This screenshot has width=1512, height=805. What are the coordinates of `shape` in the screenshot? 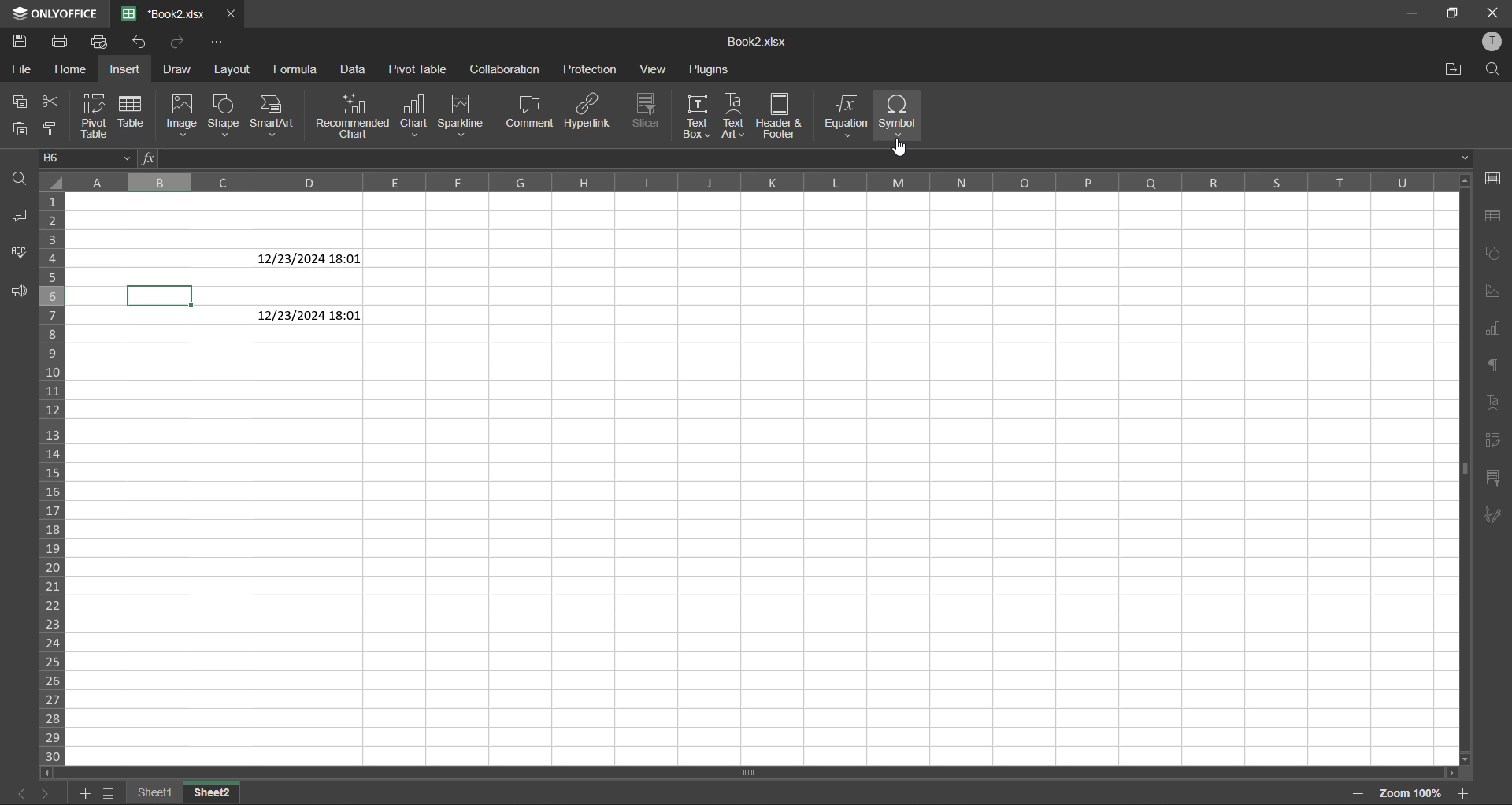 It's located at (224, 116).